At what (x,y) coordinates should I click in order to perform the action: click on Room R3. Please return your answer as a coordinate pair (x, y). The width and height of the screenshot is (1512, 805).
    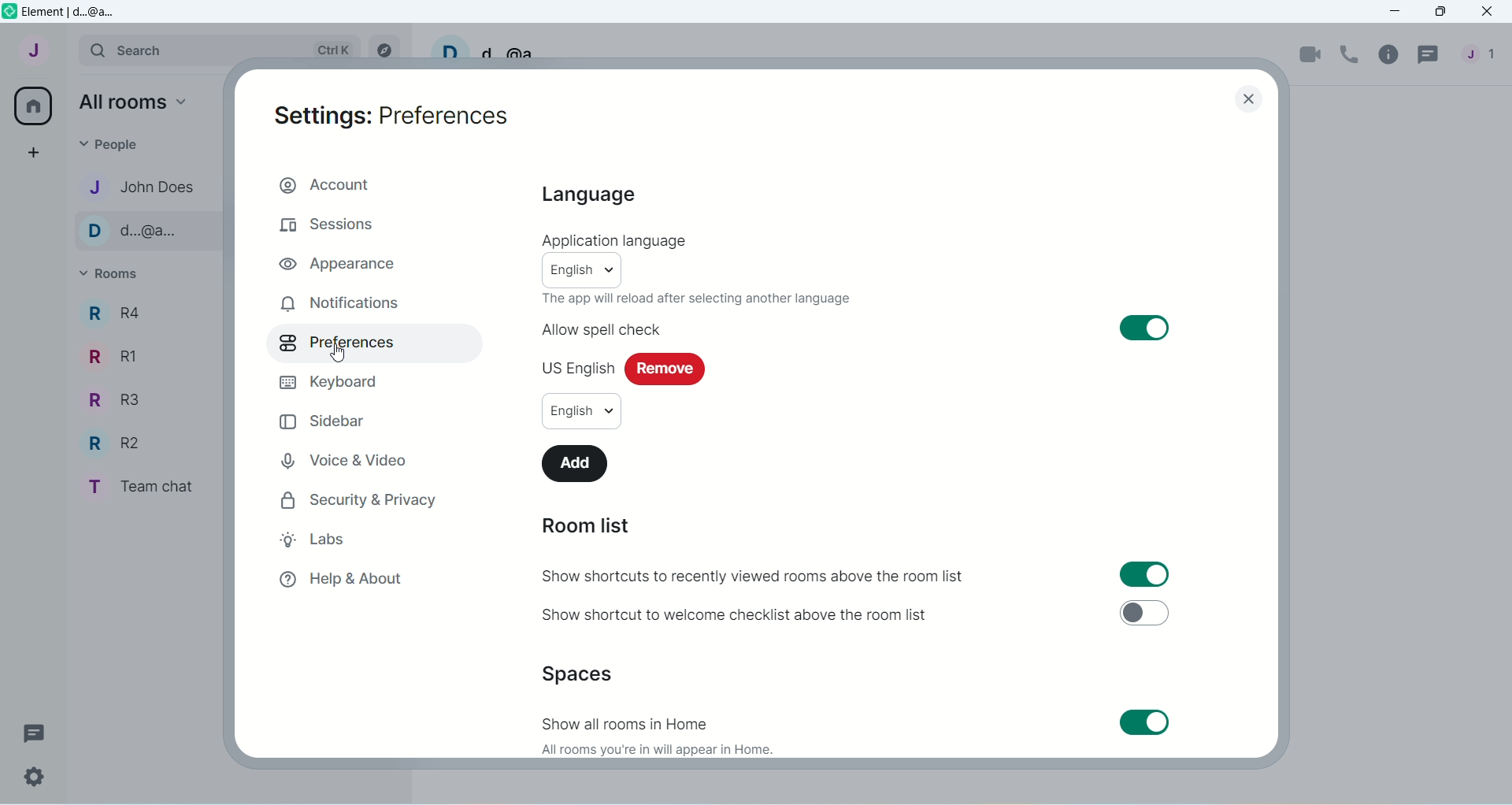
    Looking at the image, I should click on (109, 399).